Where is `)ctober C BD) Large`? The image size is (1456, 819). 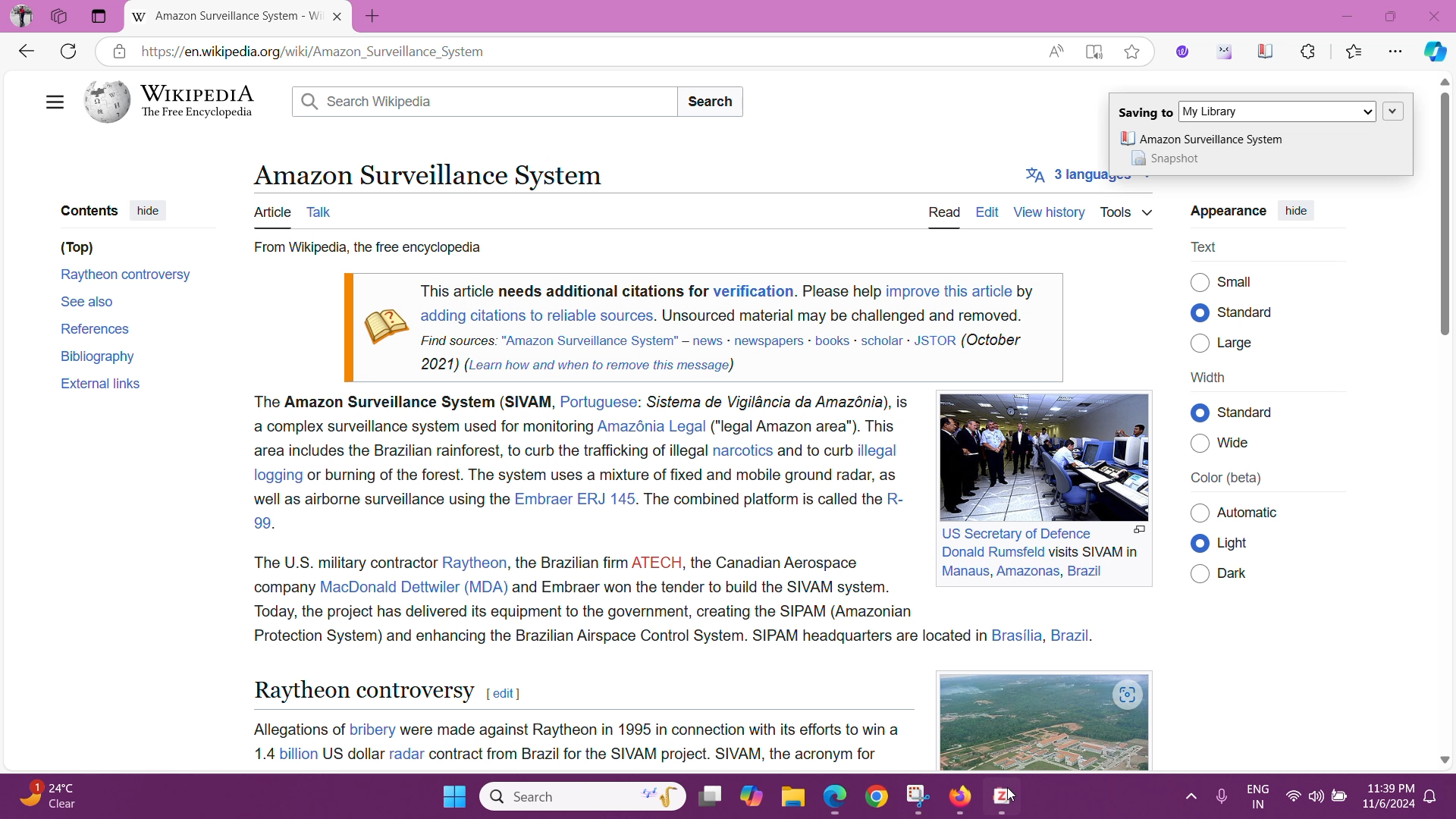 )ctober C BD) Large is located at coordinates (1244, 343).